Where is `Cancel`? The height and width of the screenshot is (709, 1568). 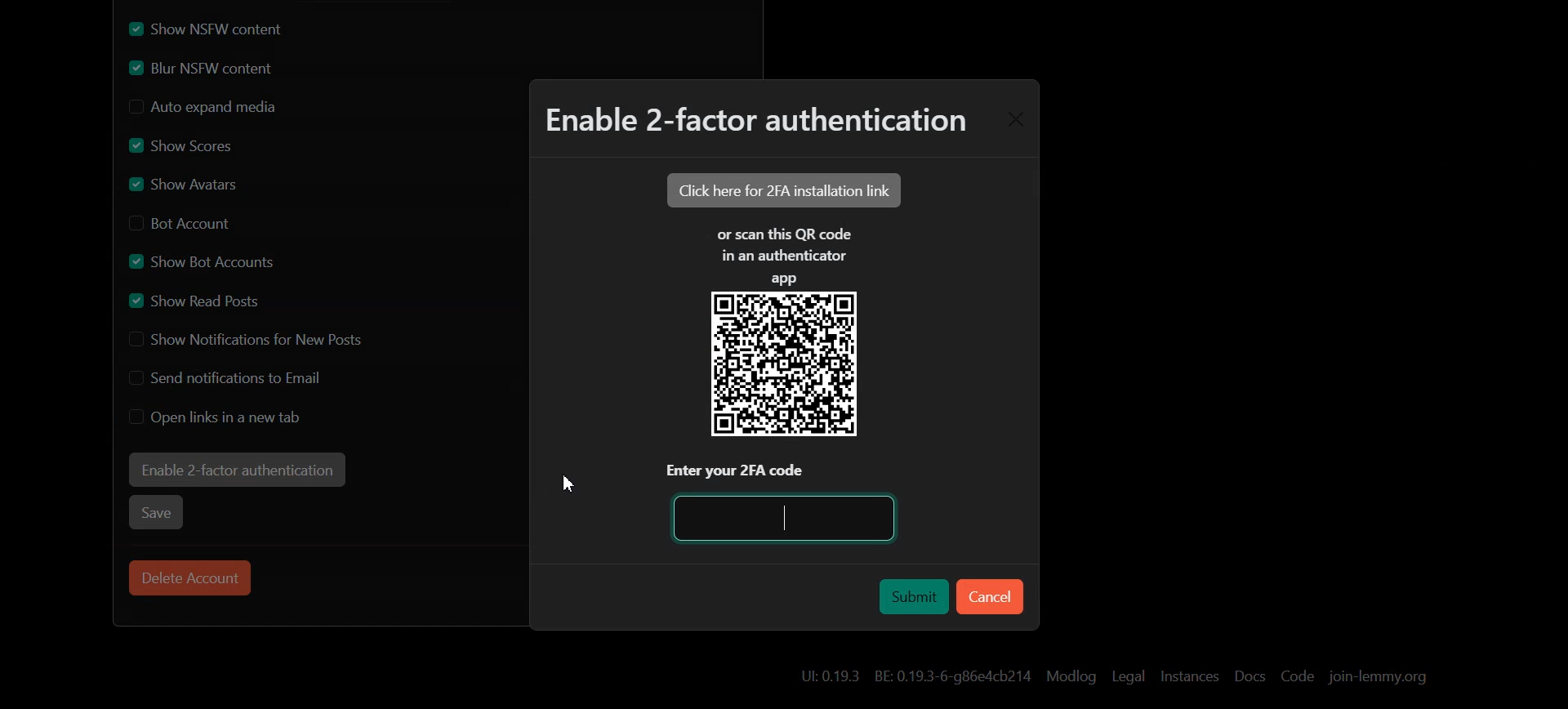
Cancel is located at coordinates (990, 596).